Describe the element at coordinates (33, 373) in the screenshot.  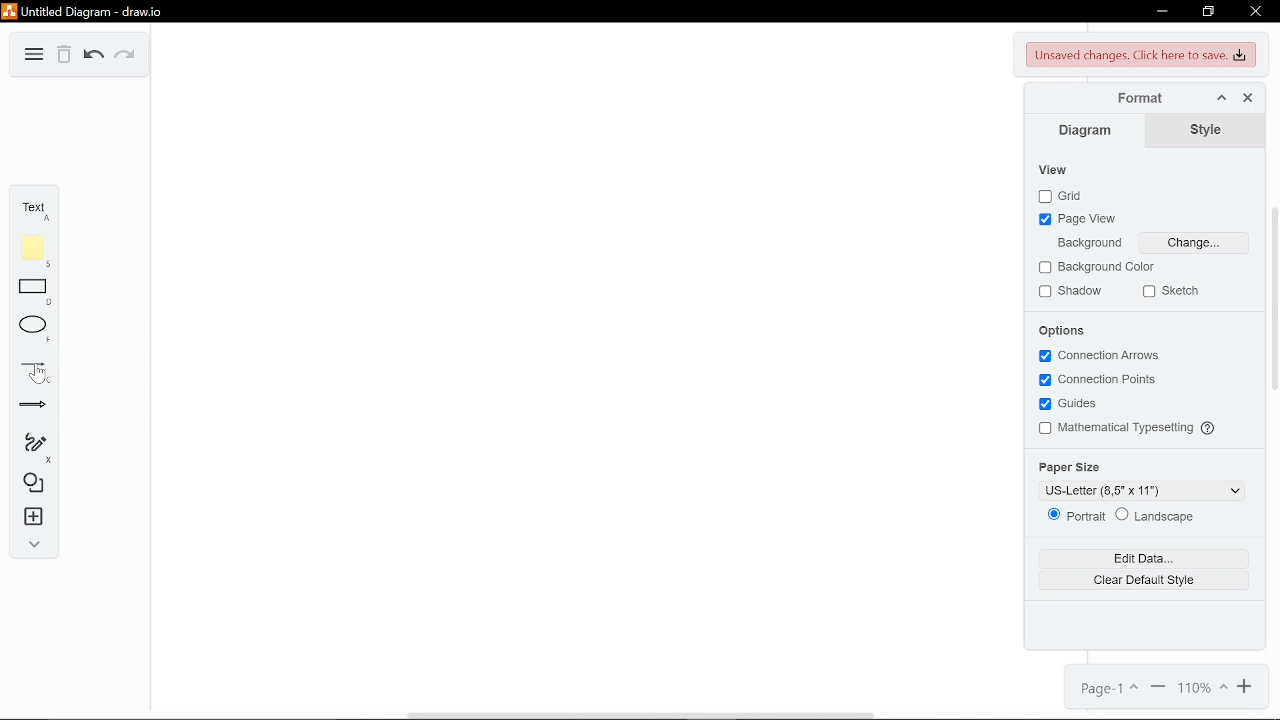
I see `Line` at that location.